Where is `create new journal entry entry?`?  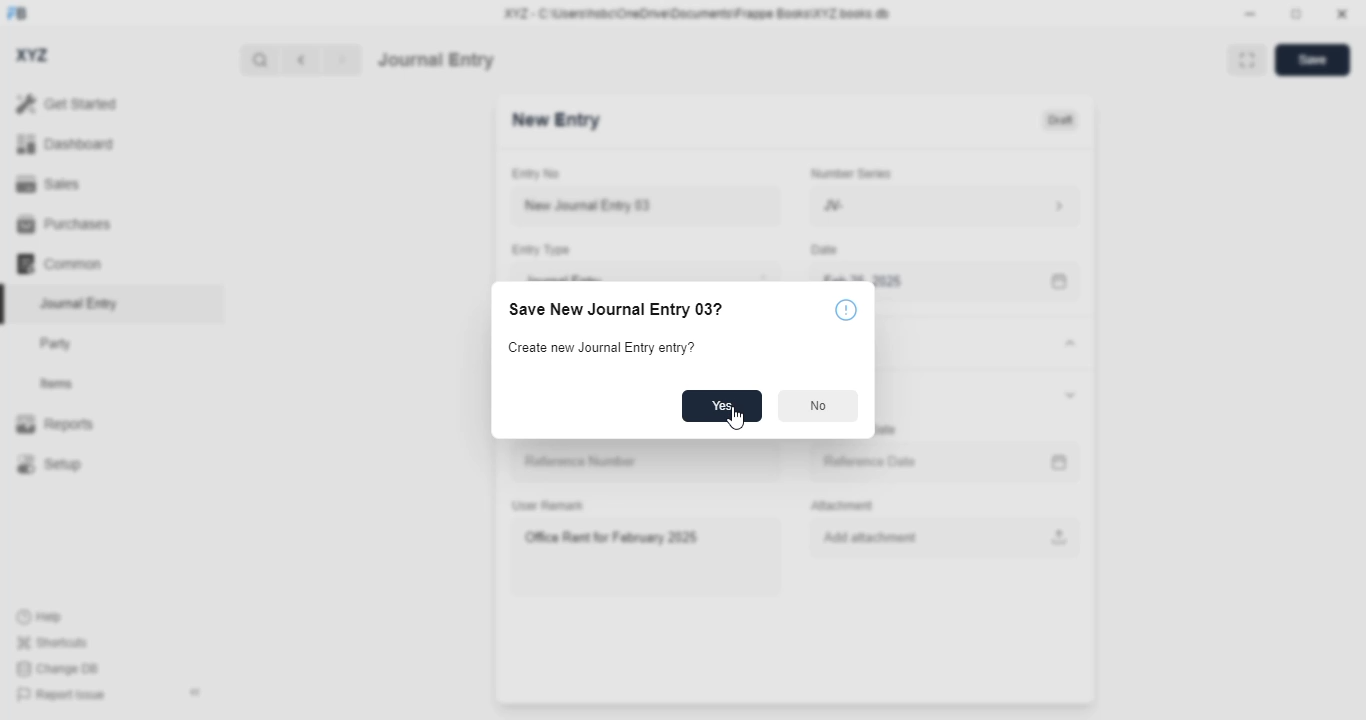 create new journal entry entry? is located at coordinates (602, 347).